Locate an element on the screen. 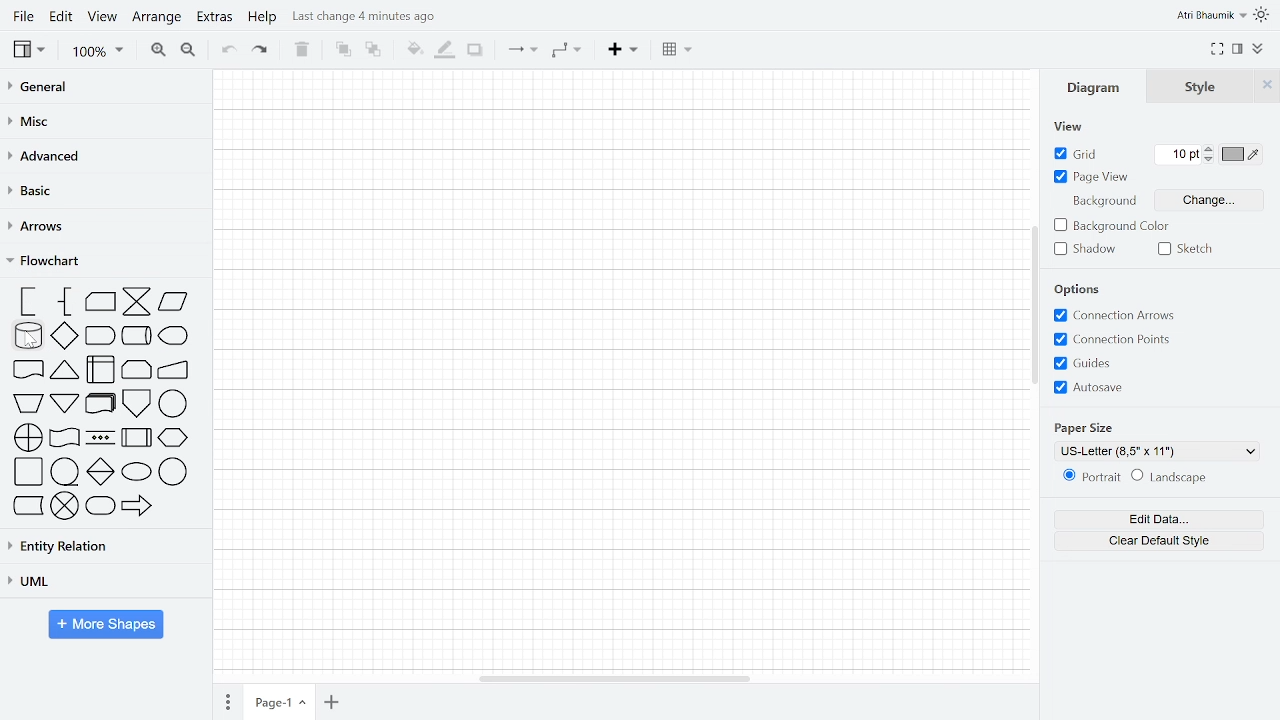 The width and height of the screenshot is (1280, 720). Fill line is located at coordinates (445, 50).